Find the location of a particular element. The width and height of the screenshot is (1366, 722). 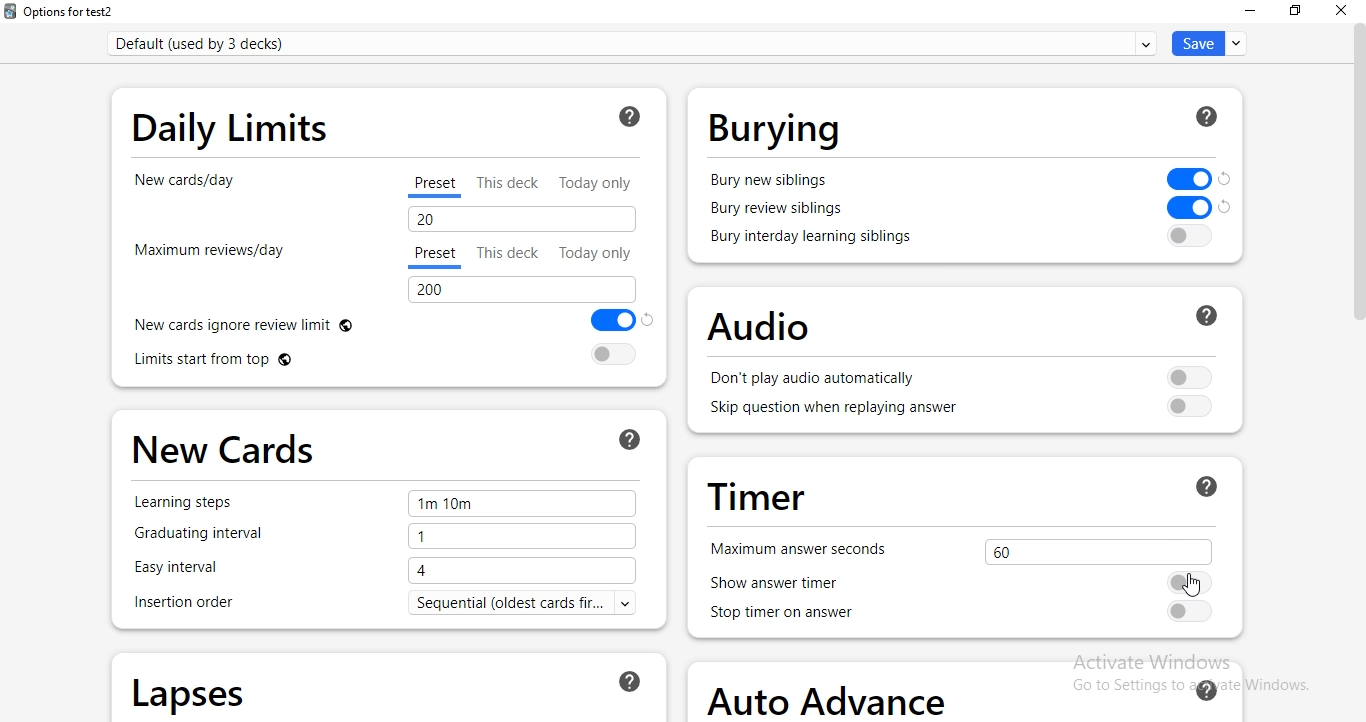

scroll bar is located at coordinates (1357, 172).